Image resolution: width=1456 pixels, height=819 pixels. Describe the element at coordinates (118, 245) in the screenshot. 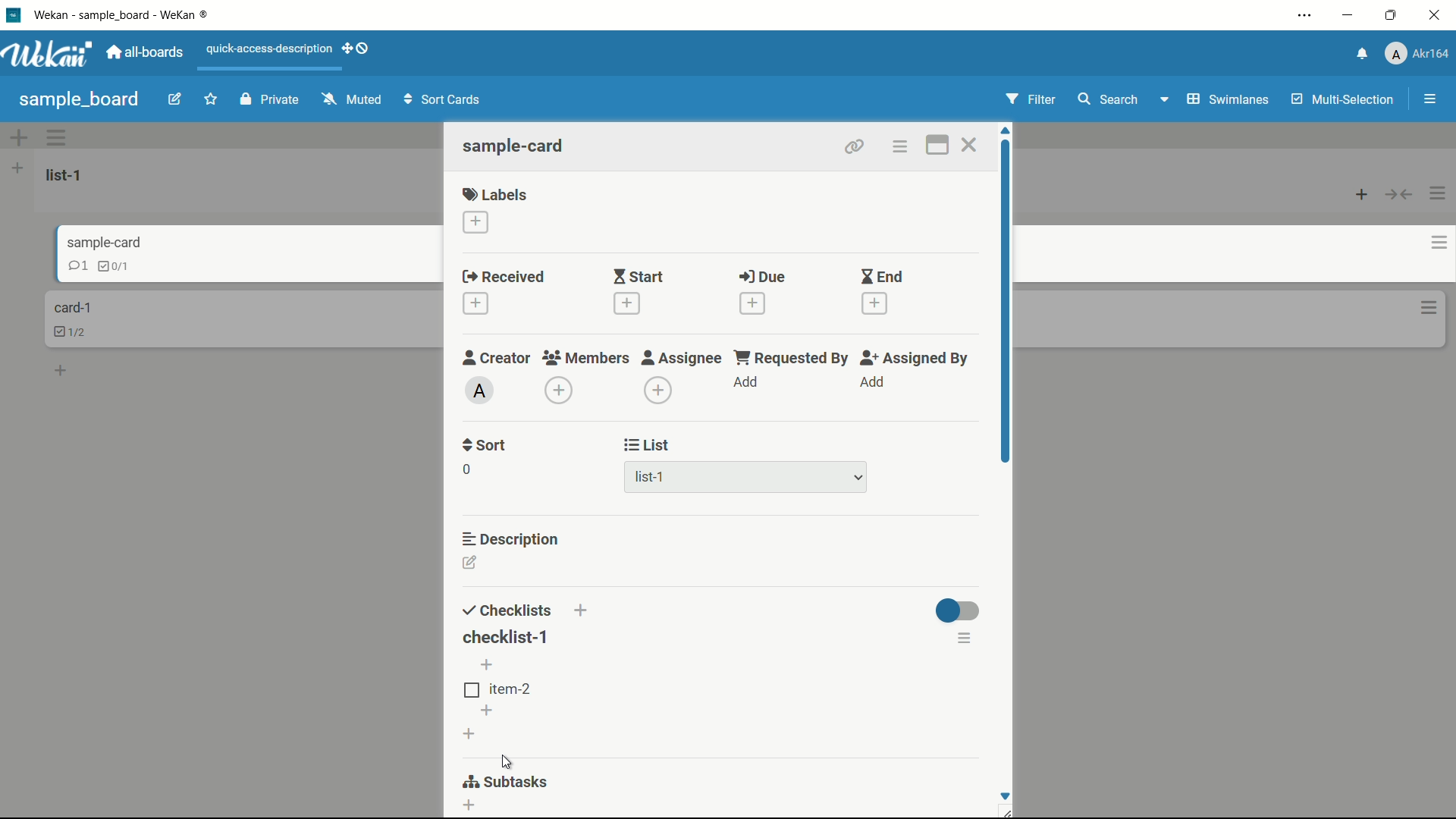

I see `card name` at that location.